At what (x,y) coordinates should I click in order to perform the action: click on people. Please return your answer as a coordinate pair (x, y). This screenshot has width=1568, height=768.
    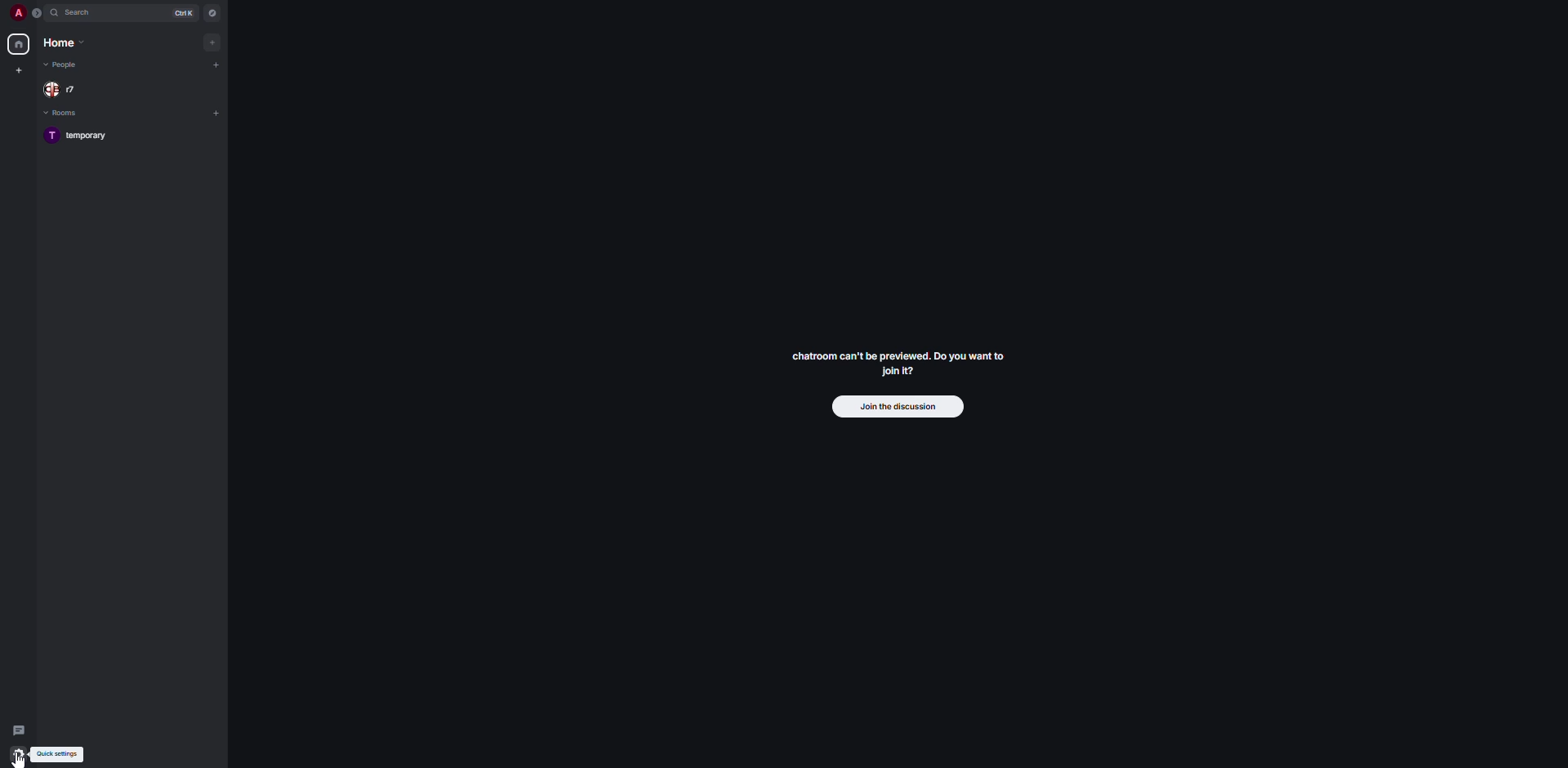
    Looking at the image, I should click on (62, 90).